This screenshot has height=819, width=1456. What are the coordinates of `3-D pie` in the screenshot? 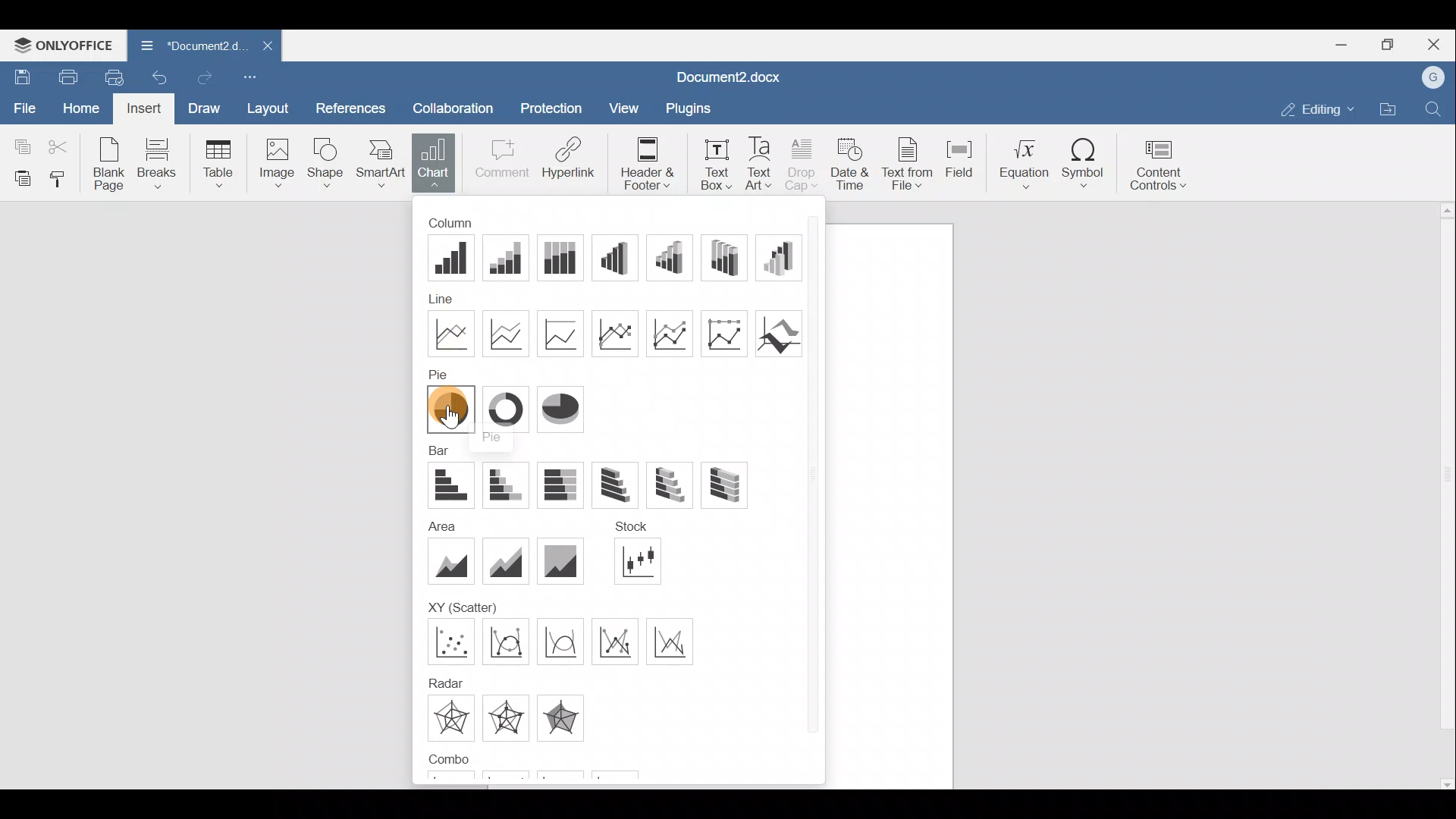 It's located at (561, 406).